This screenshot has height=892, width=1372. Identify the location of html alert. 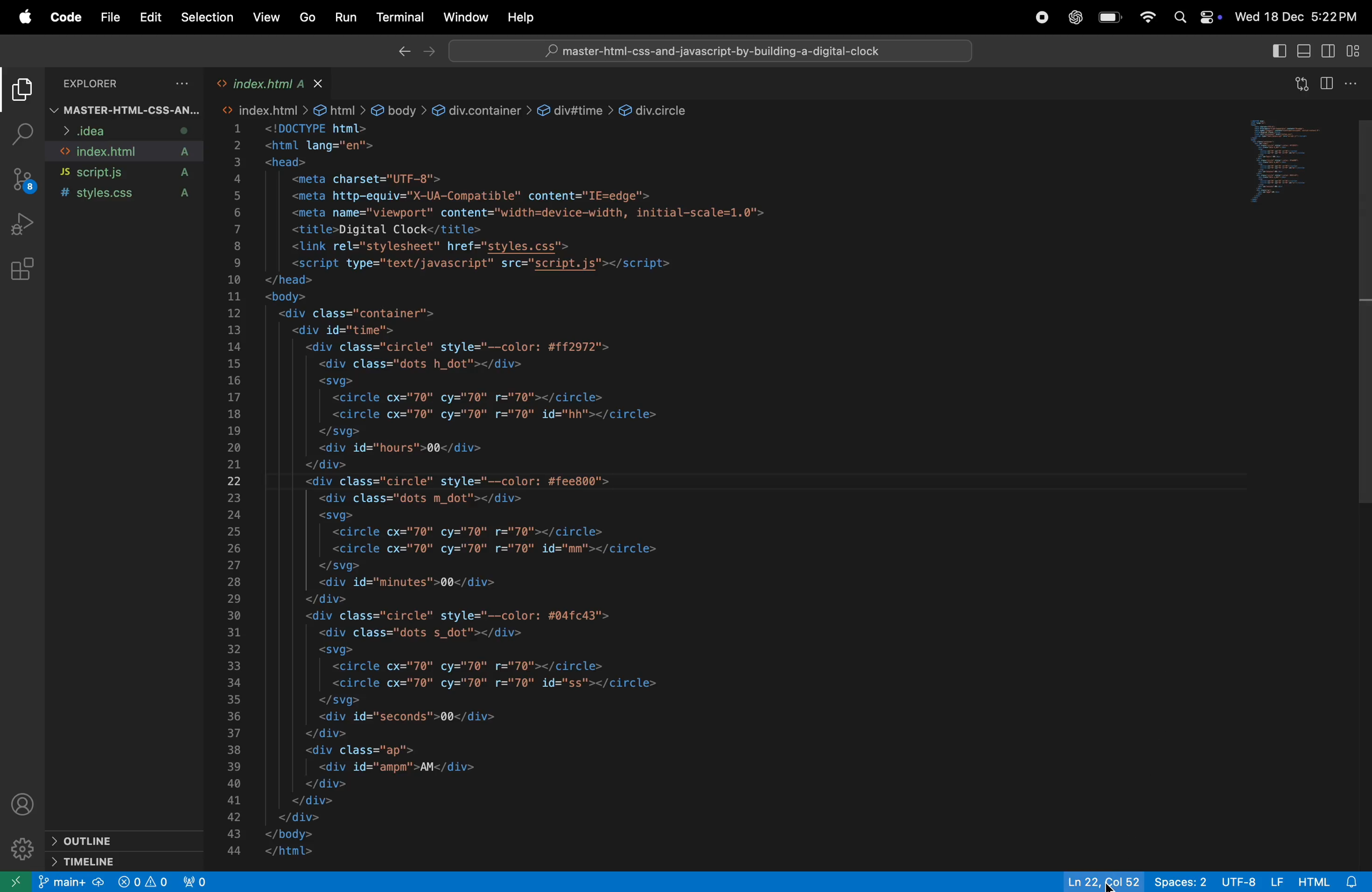
(1330, 879).